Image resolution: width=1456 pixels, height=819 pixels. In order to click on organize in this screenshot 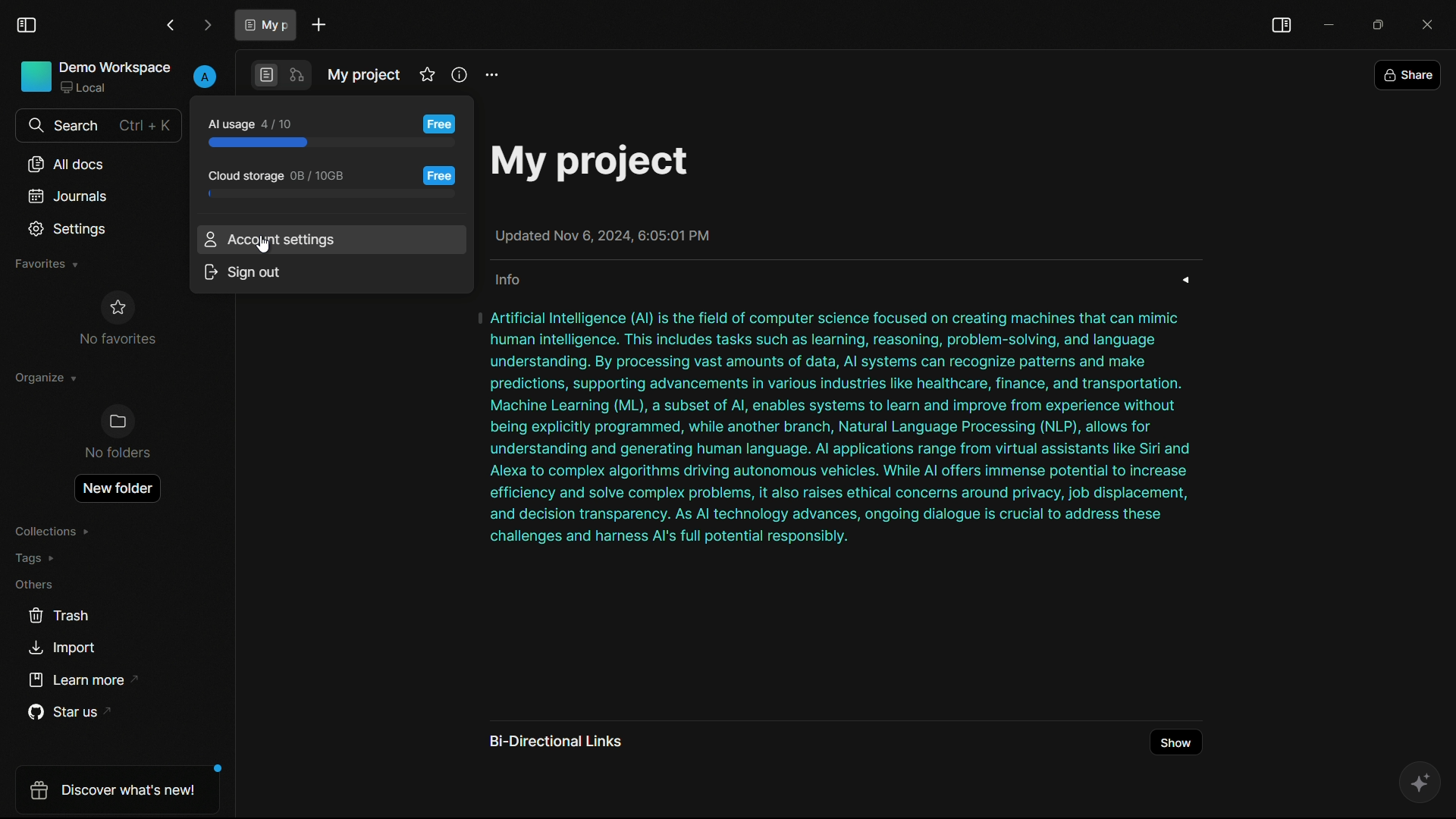, I will do `click(40, 381)`.